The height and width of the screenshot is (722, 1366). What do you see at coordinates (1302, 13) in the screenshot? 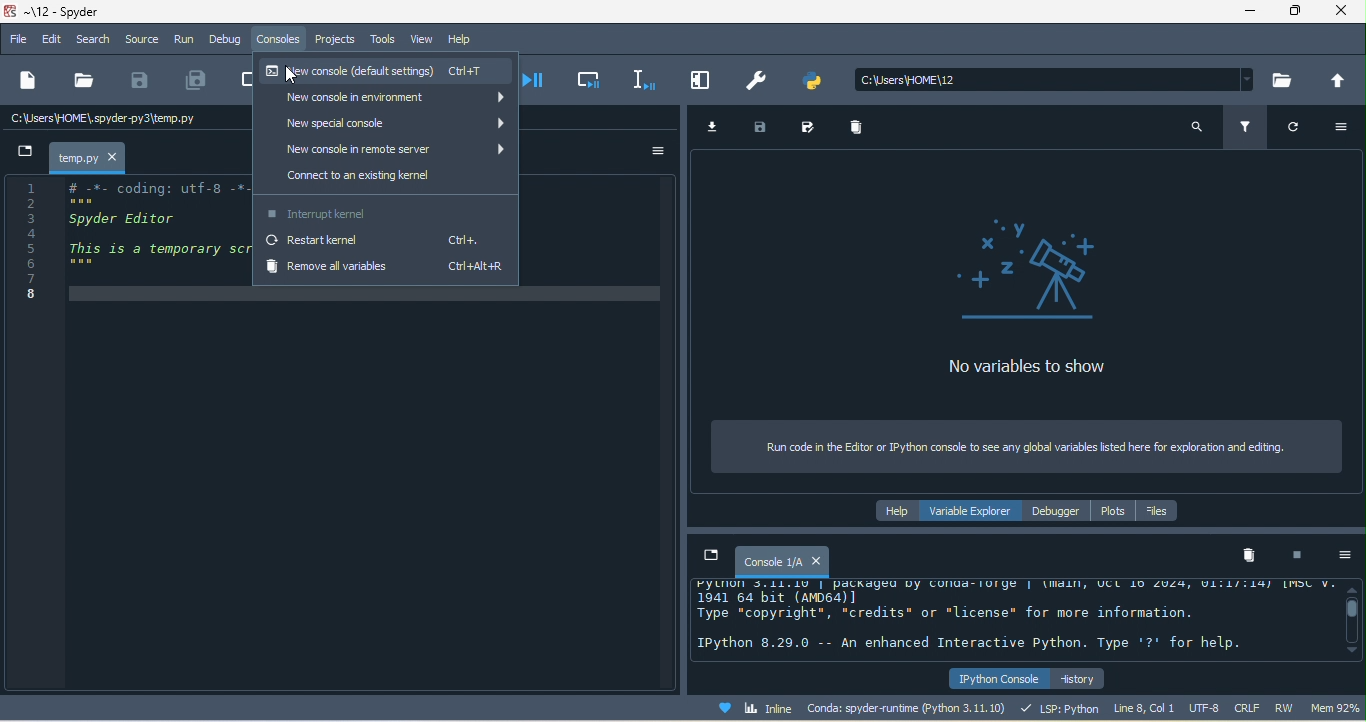
I see `maximize` at bounding box center [1302, 13].